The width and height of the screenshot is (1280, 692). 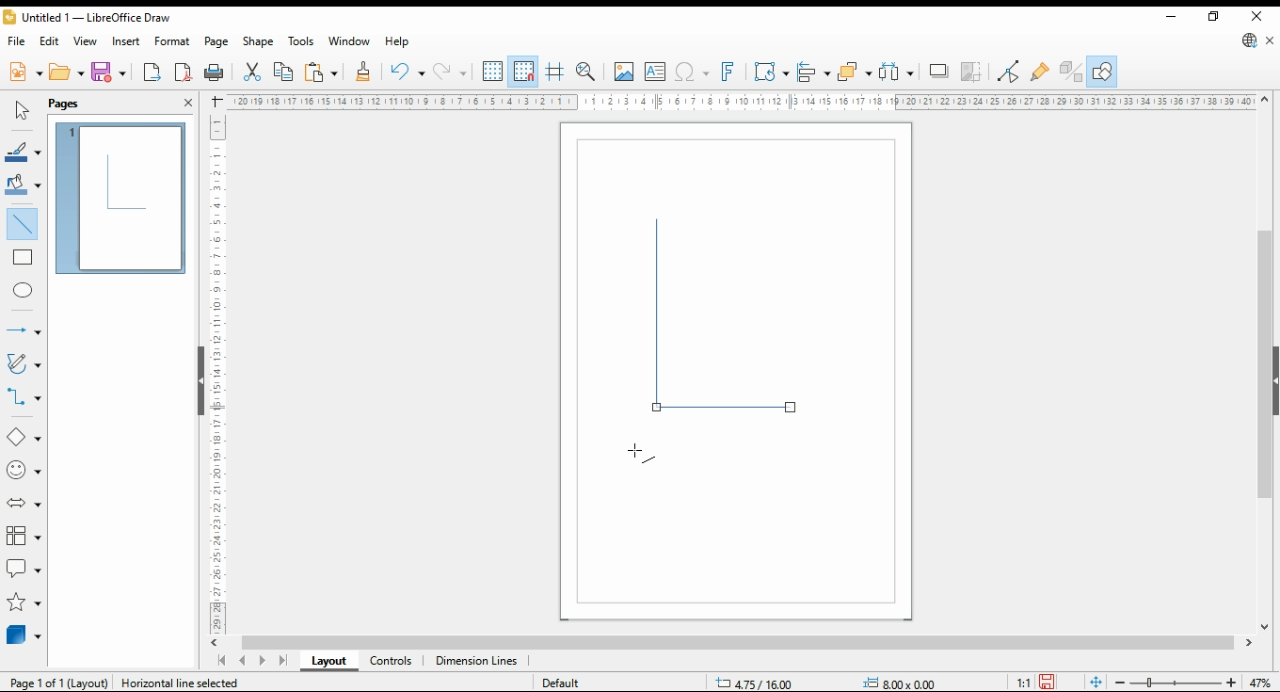 What do you see at coordinates (24, 72) in the screenshot?
I see `new` at bounding box center [24, 72].